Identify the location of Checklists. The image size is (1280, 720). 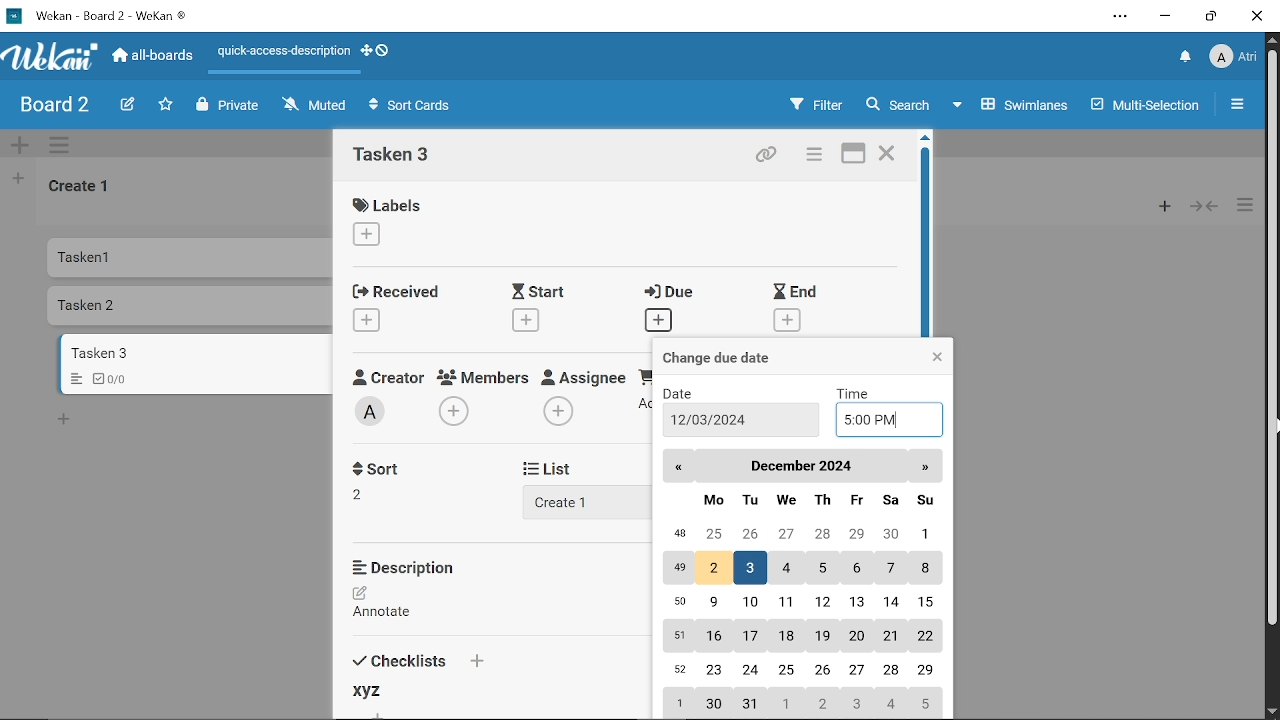
(432, 660).